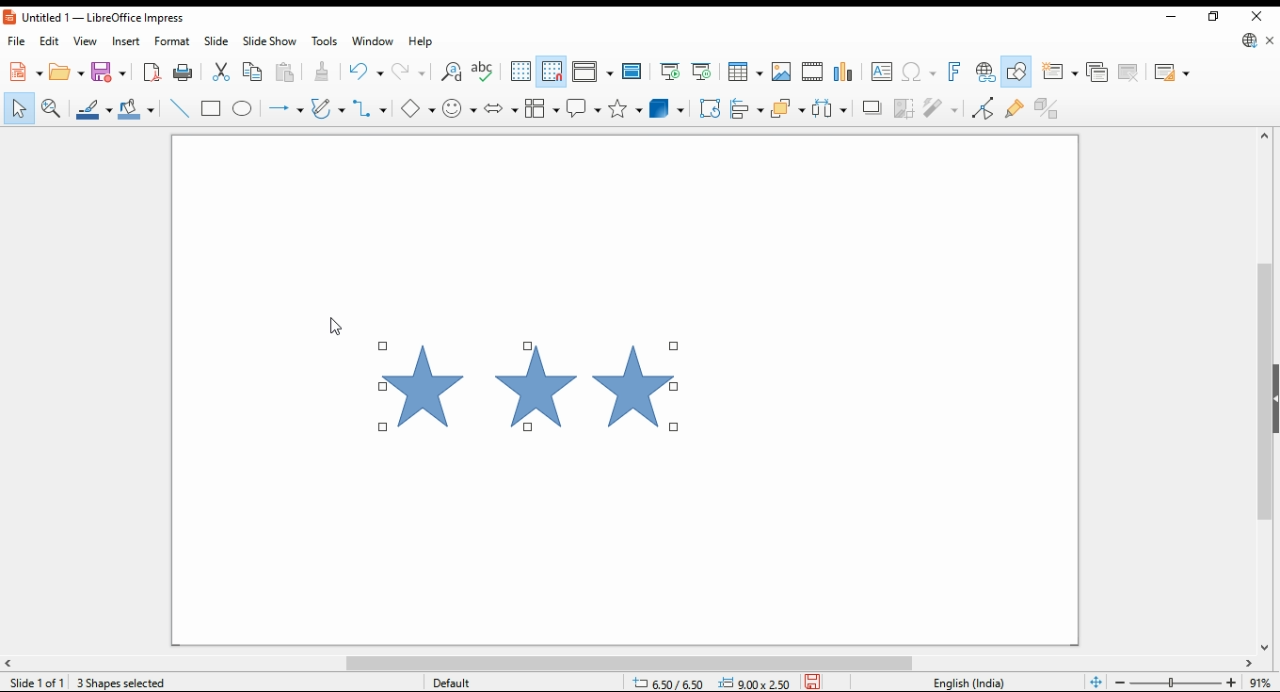 Image resolution: width=1280 pixels, height=692 pixels. Describe the element at coordinates (984, 71) in the screenshot. I see `insert hyperlink` at that location.